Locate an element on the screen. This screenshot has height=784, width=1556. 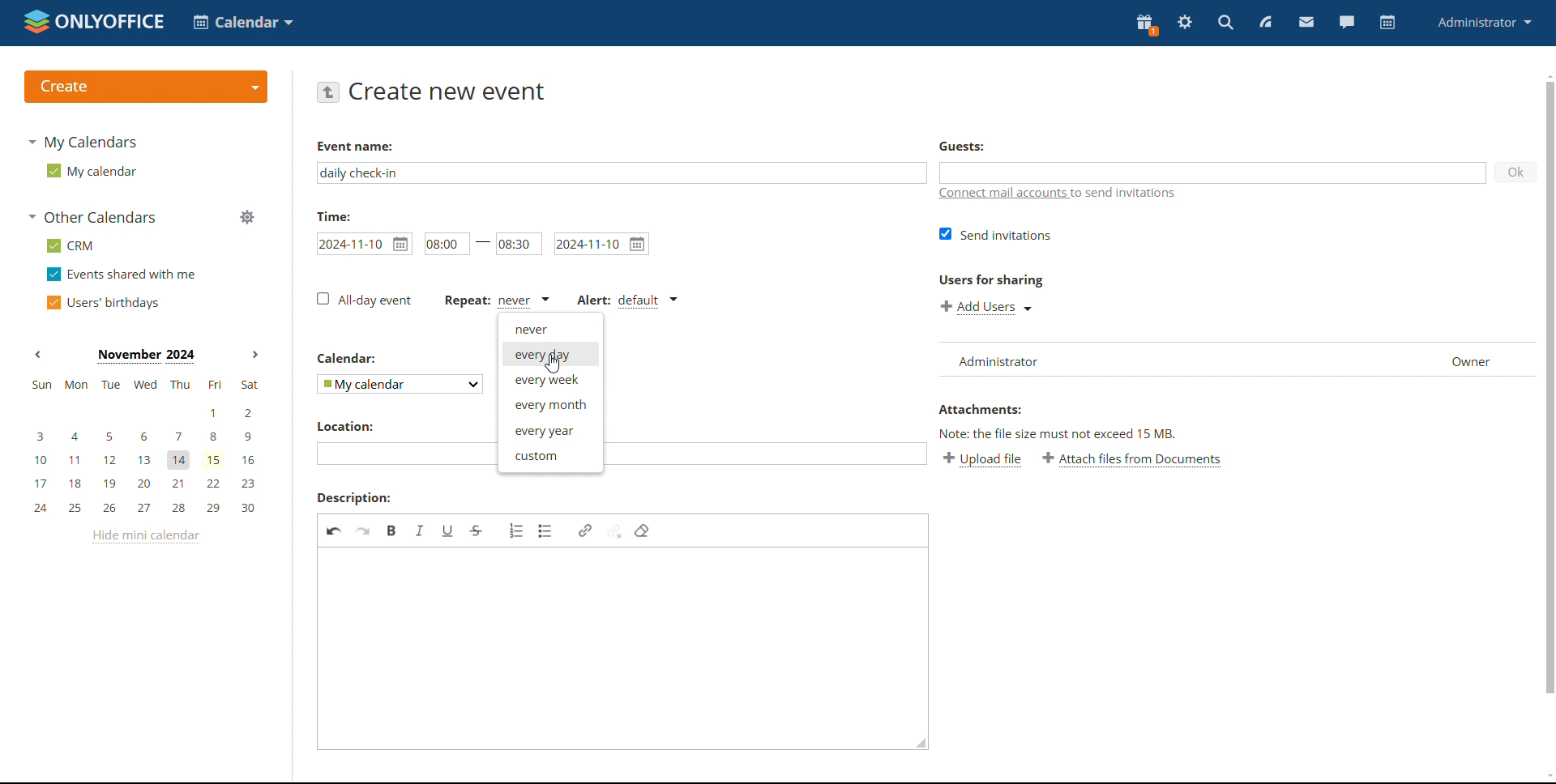
list of users is located at coordinates (1005, 358).